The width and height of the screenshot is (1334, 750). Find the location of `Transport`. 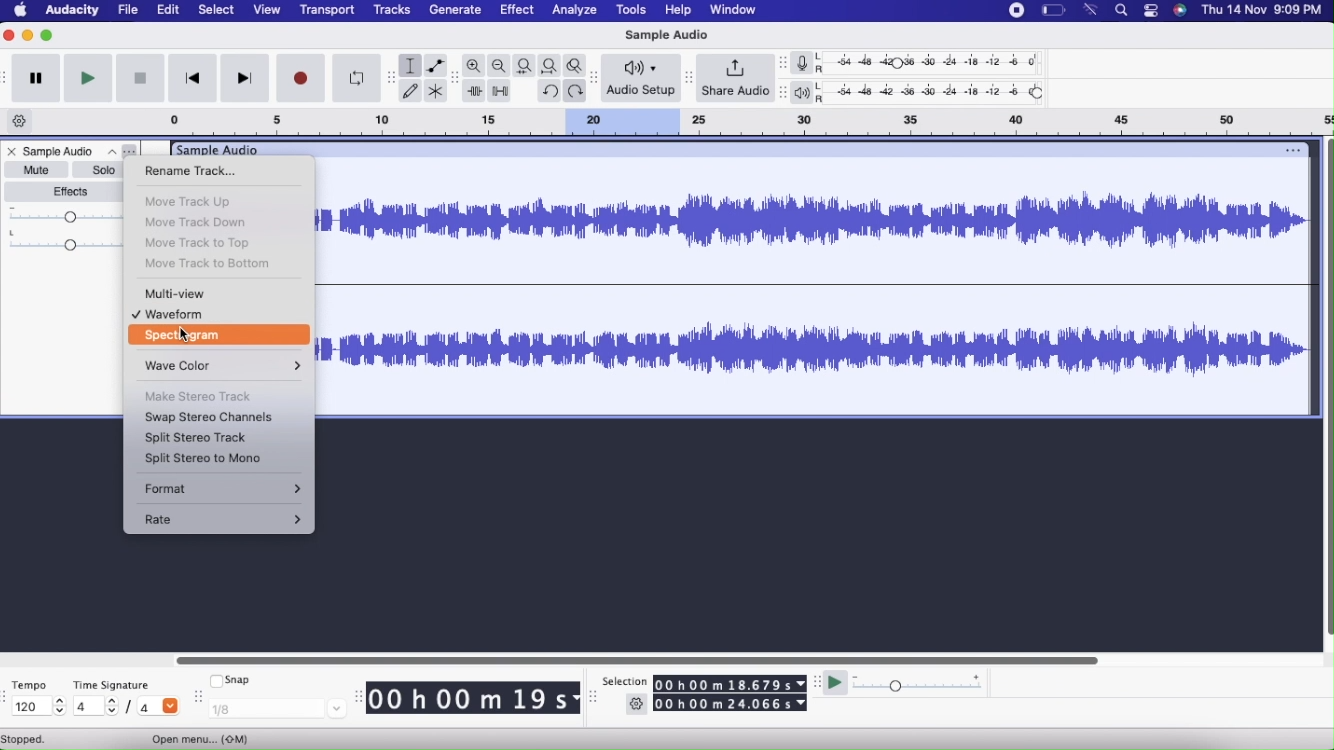

Transport is located at coordinates (330, 11).